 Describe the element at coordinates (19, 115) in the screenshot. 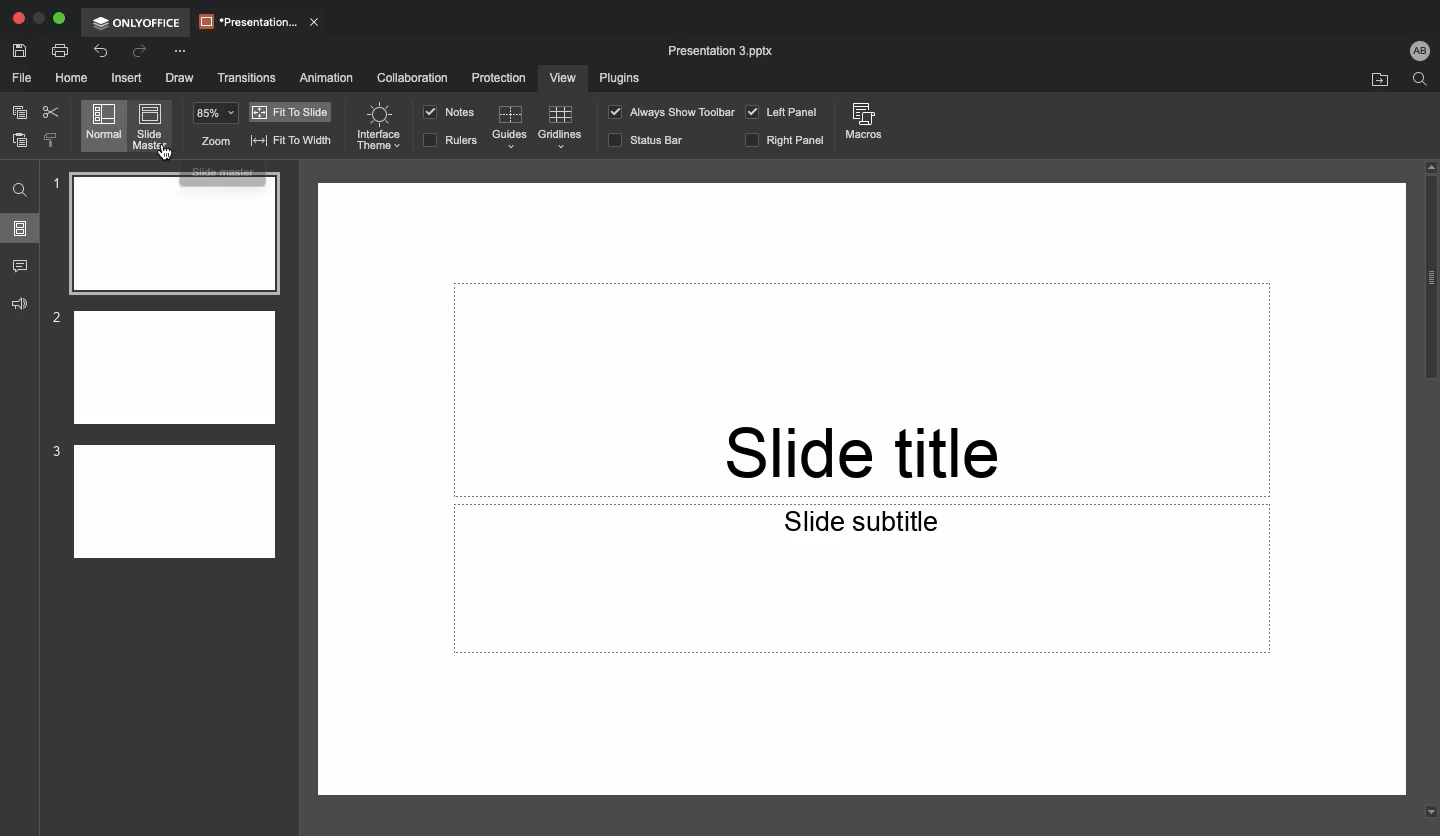

I see `Copy` at that location.